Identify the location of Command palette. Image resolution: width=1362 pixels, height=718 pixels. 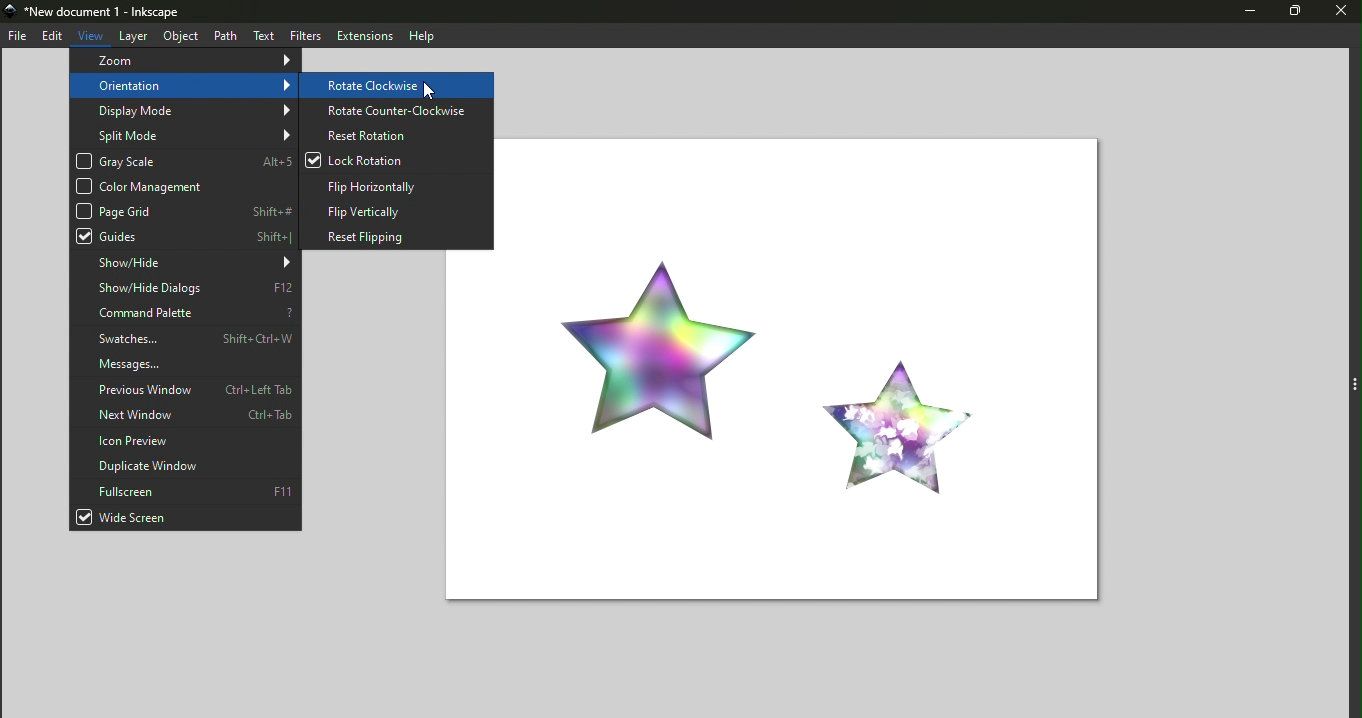
(186, 314).